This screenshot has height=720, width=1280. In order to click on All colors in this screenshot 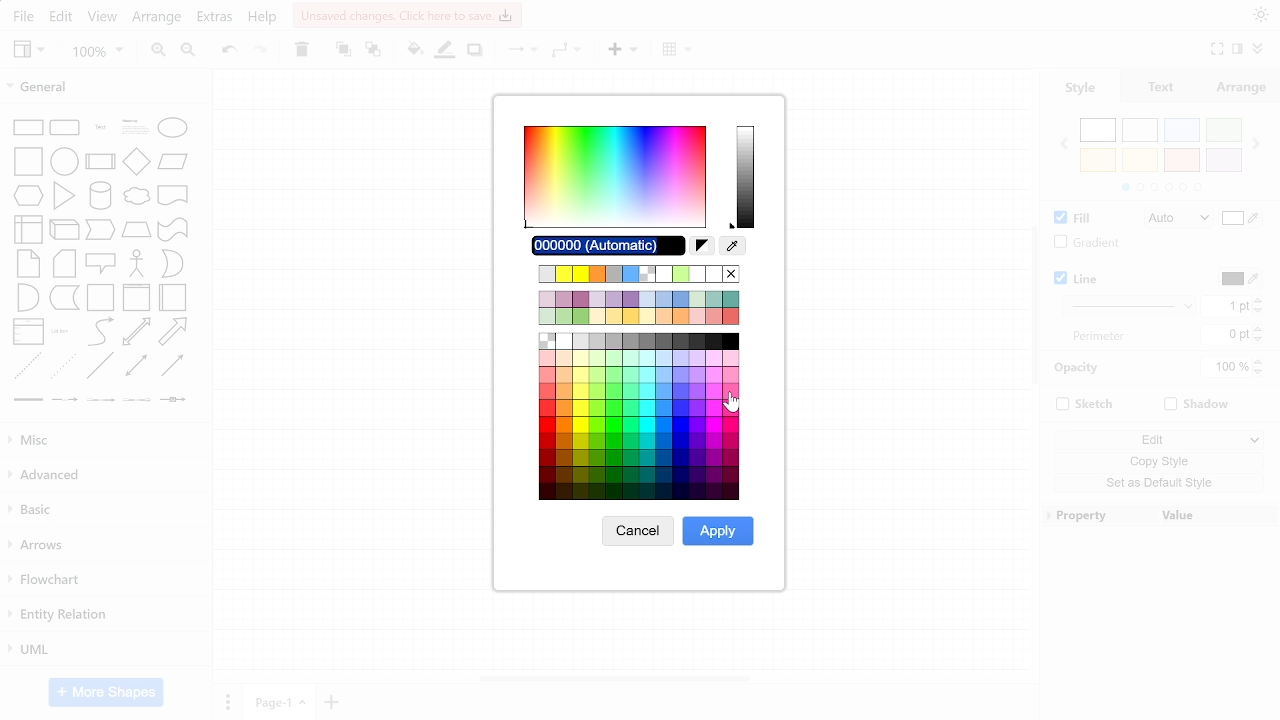, I will do `click(637, 415)`.